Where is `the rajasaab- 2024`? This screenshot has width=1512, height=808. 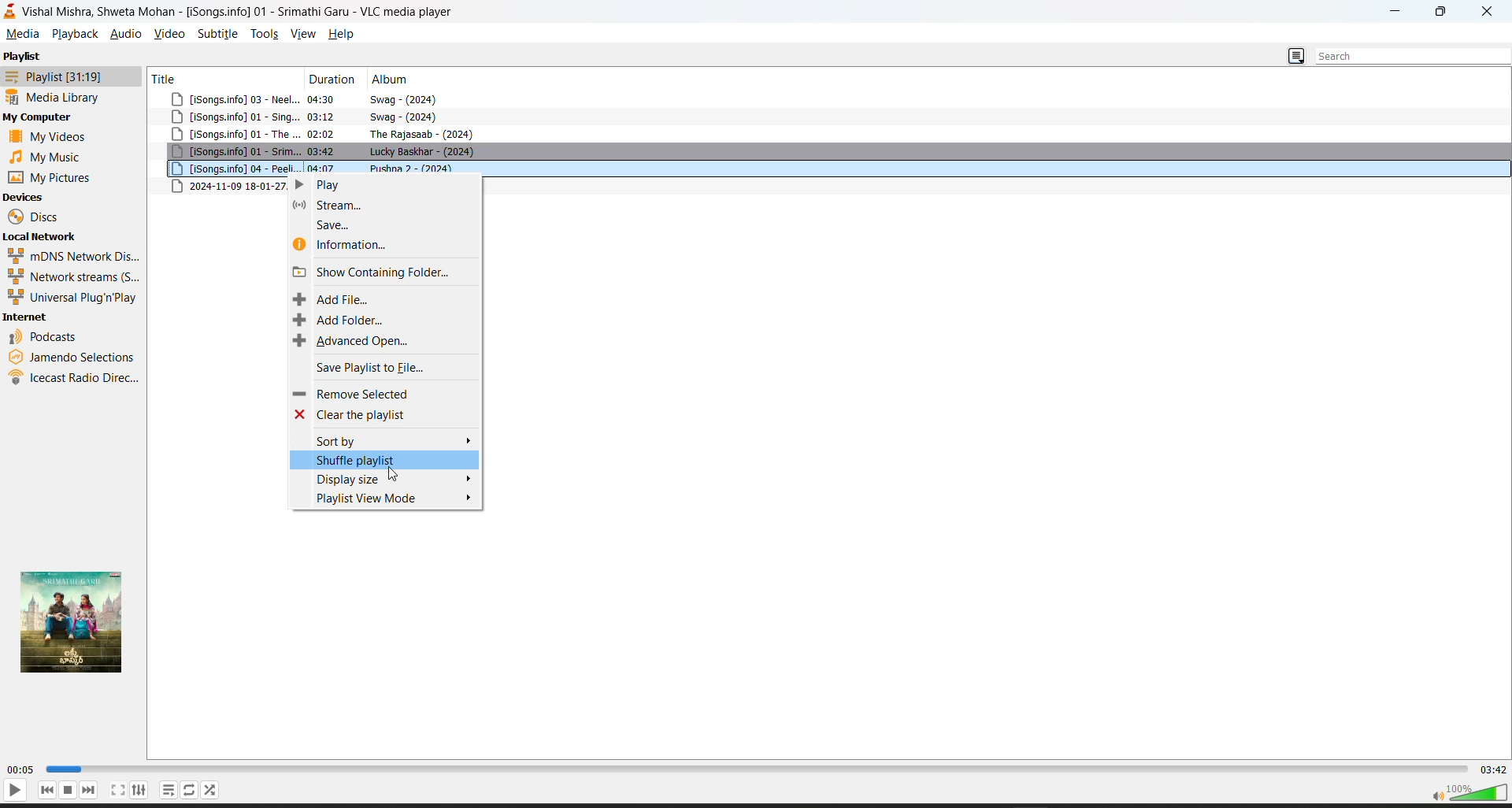 the rajasaab- 2024 is located at coordinates (423, 133).